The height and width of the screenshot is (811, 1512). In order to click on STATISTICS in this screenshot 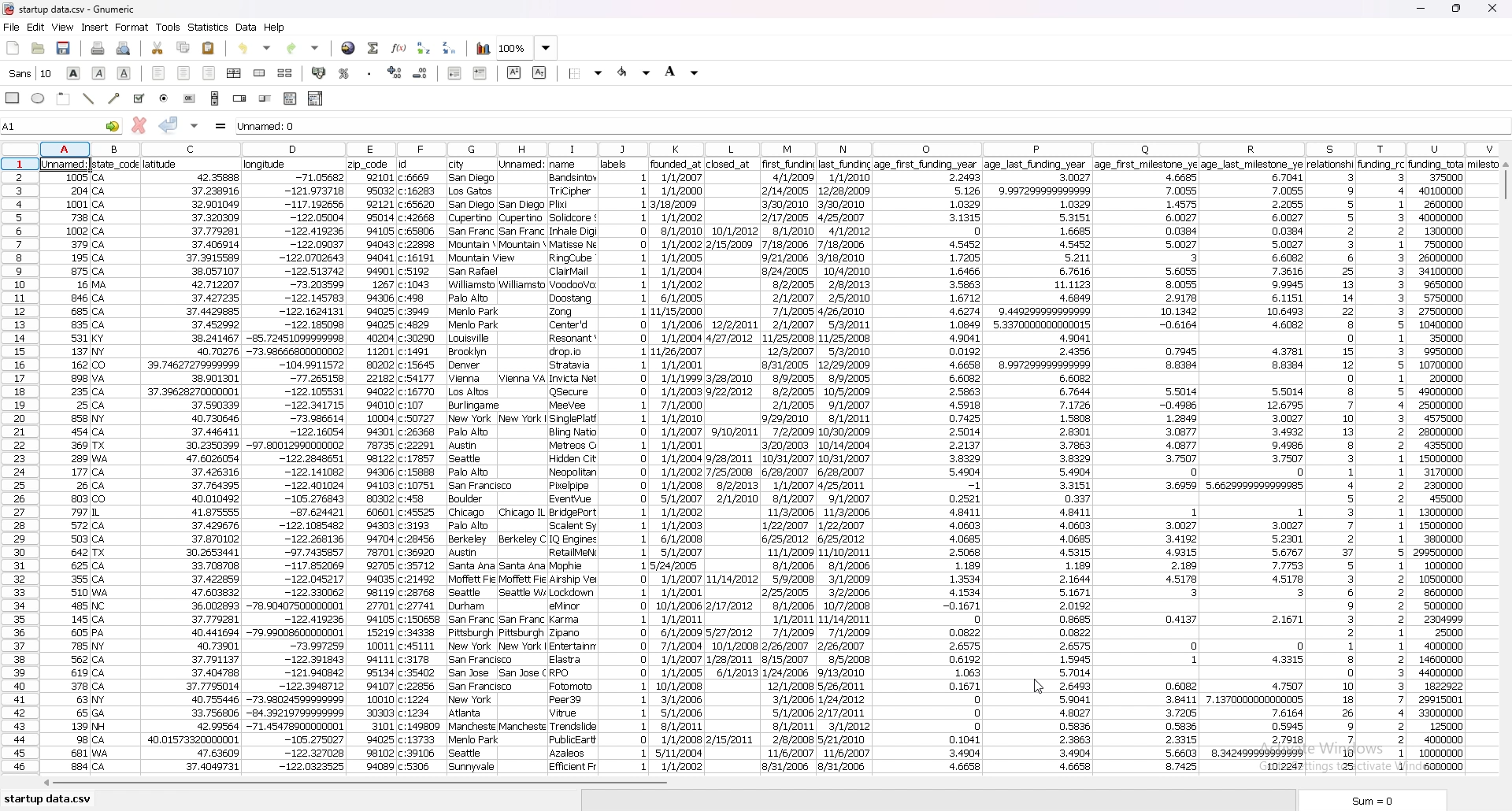, I will do `click(209, 27)`.